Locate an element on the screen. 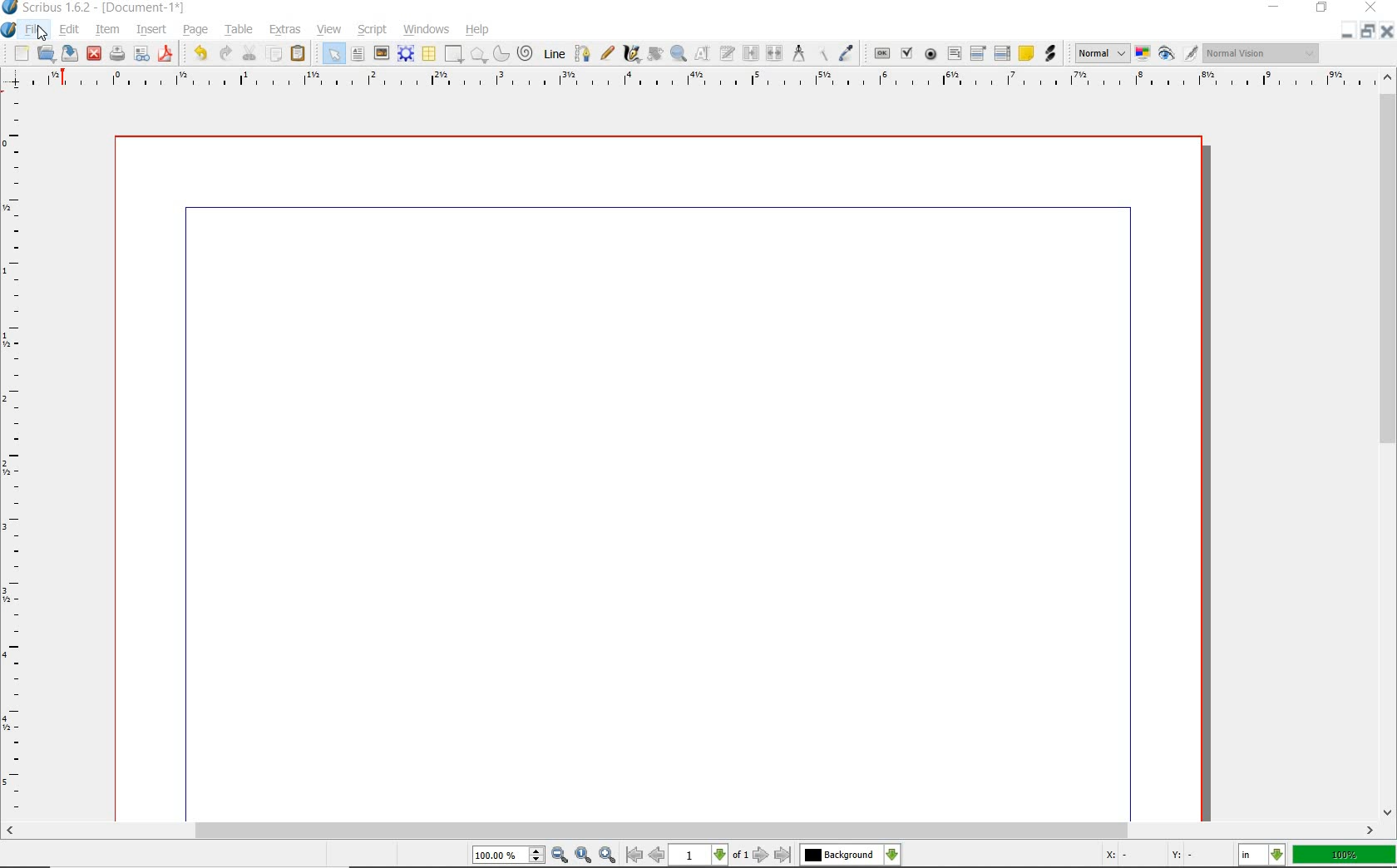  visual appearance of the display is located at coordinates (1261, 55).